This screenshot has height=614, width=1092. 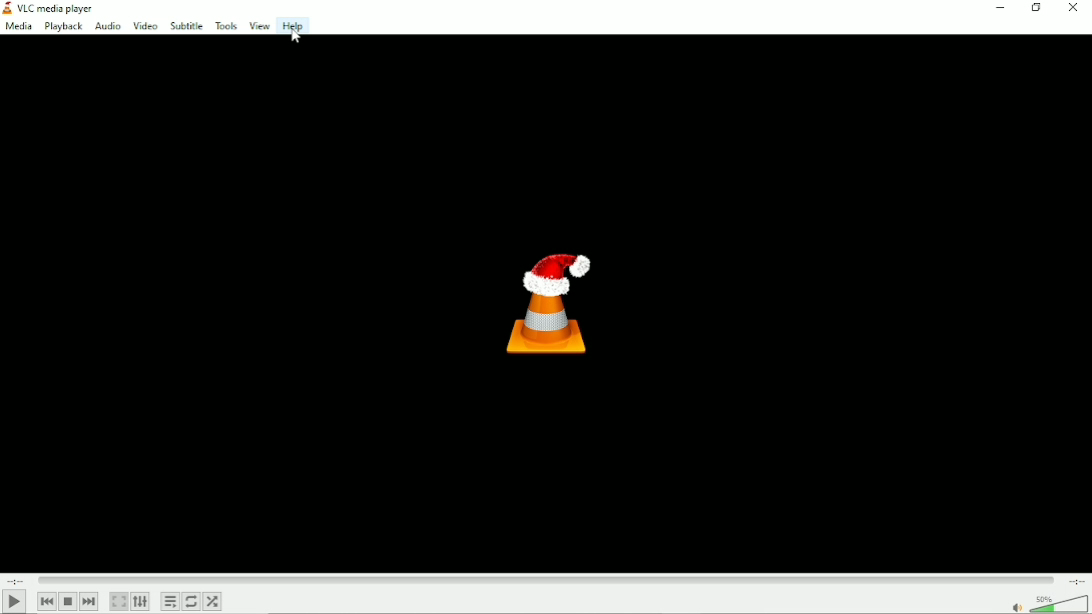 What do you see at coordinates (7, 7) in the screenshot?
I see `vlc logo` at bounding box center [7, 7].